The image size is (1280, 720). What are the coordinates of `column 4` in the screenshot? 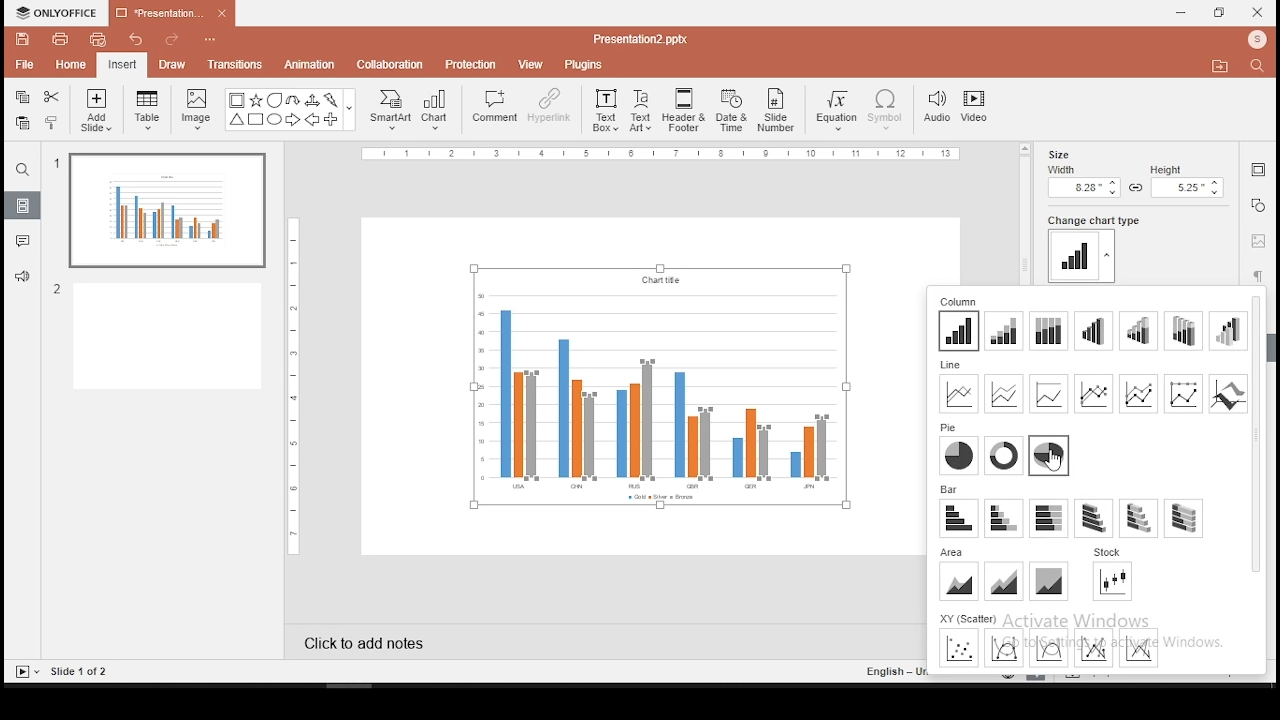 It's located at (1094, 330).